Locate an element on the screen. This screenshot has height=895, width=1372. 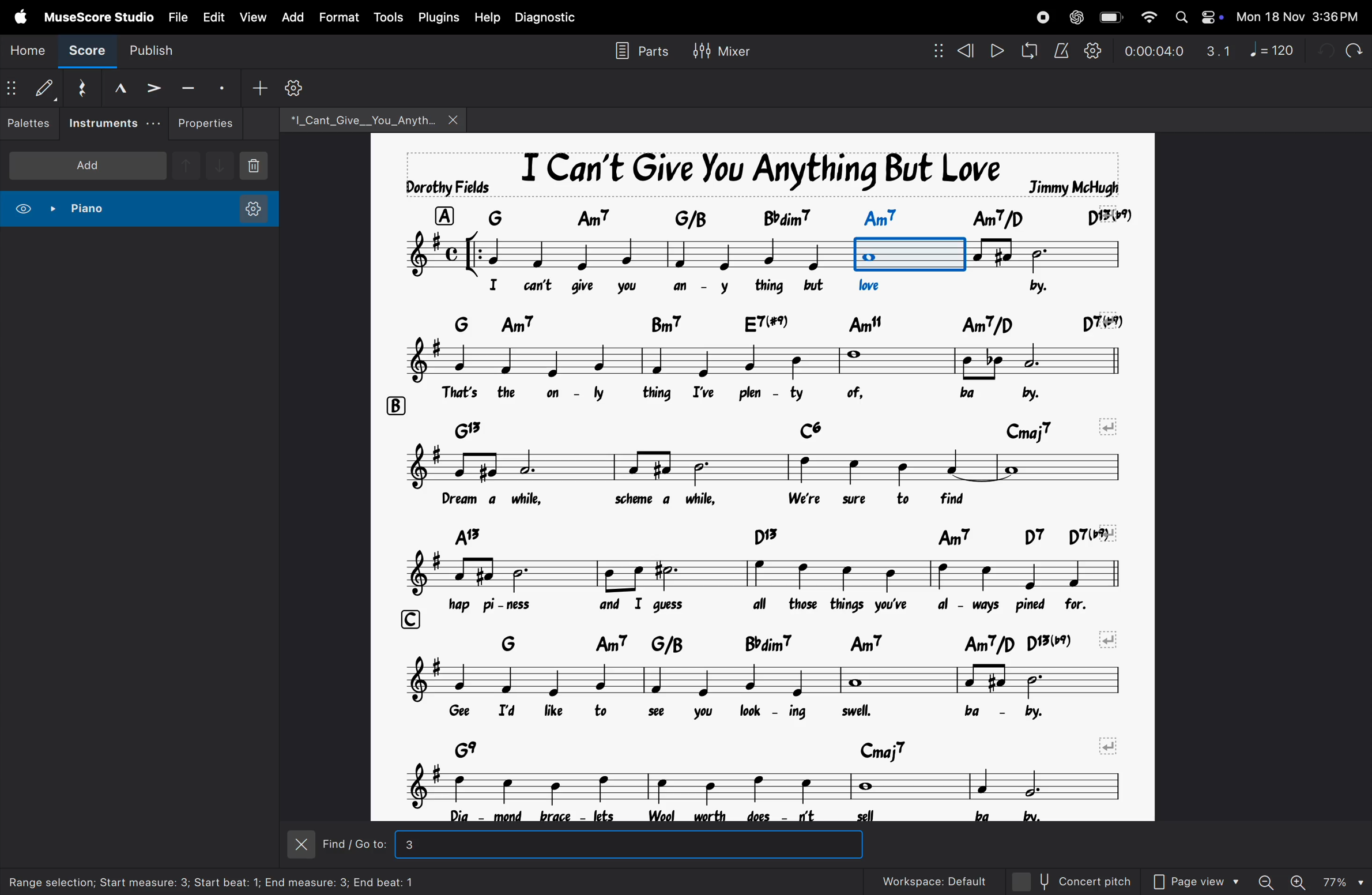
file is located at coordinates (174, 16).